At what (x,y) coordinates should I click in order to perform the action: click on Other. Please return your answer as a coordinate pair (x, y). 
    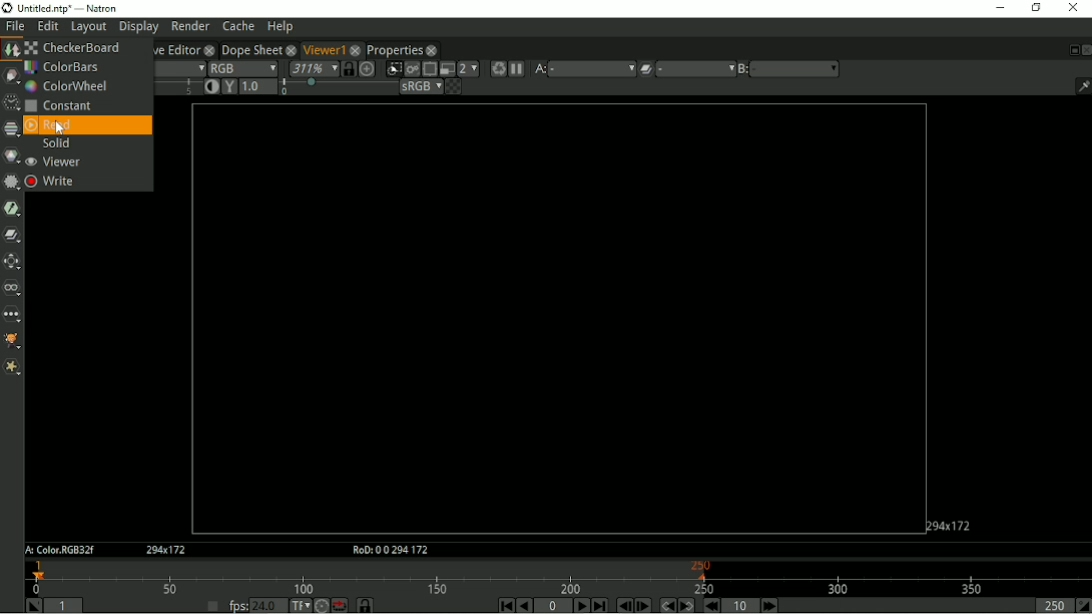
    Looking at the image, I should click on (11, 315).